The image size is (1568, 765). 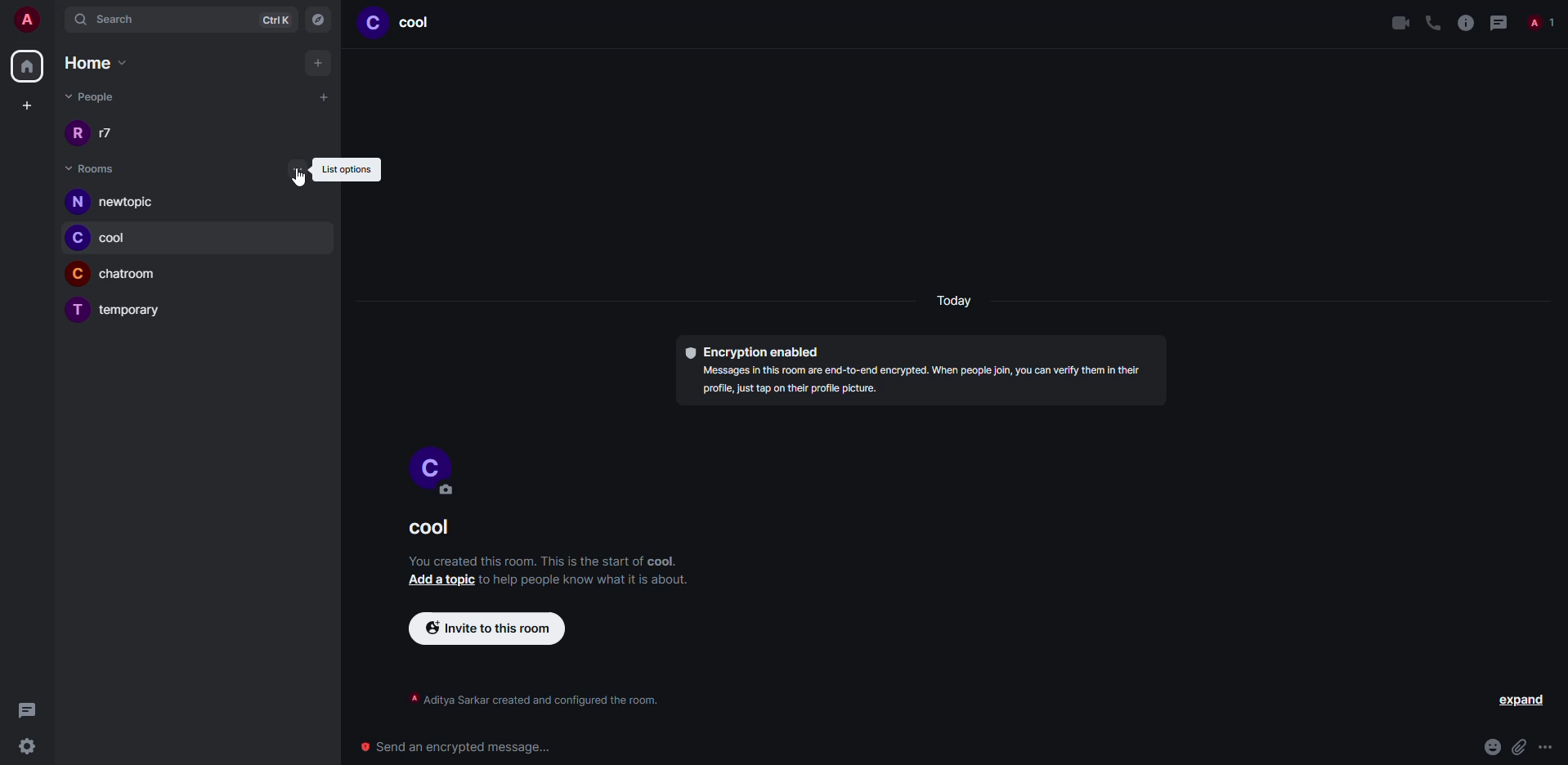 I want to click on encryption enabled, so click(x=750, y=351).